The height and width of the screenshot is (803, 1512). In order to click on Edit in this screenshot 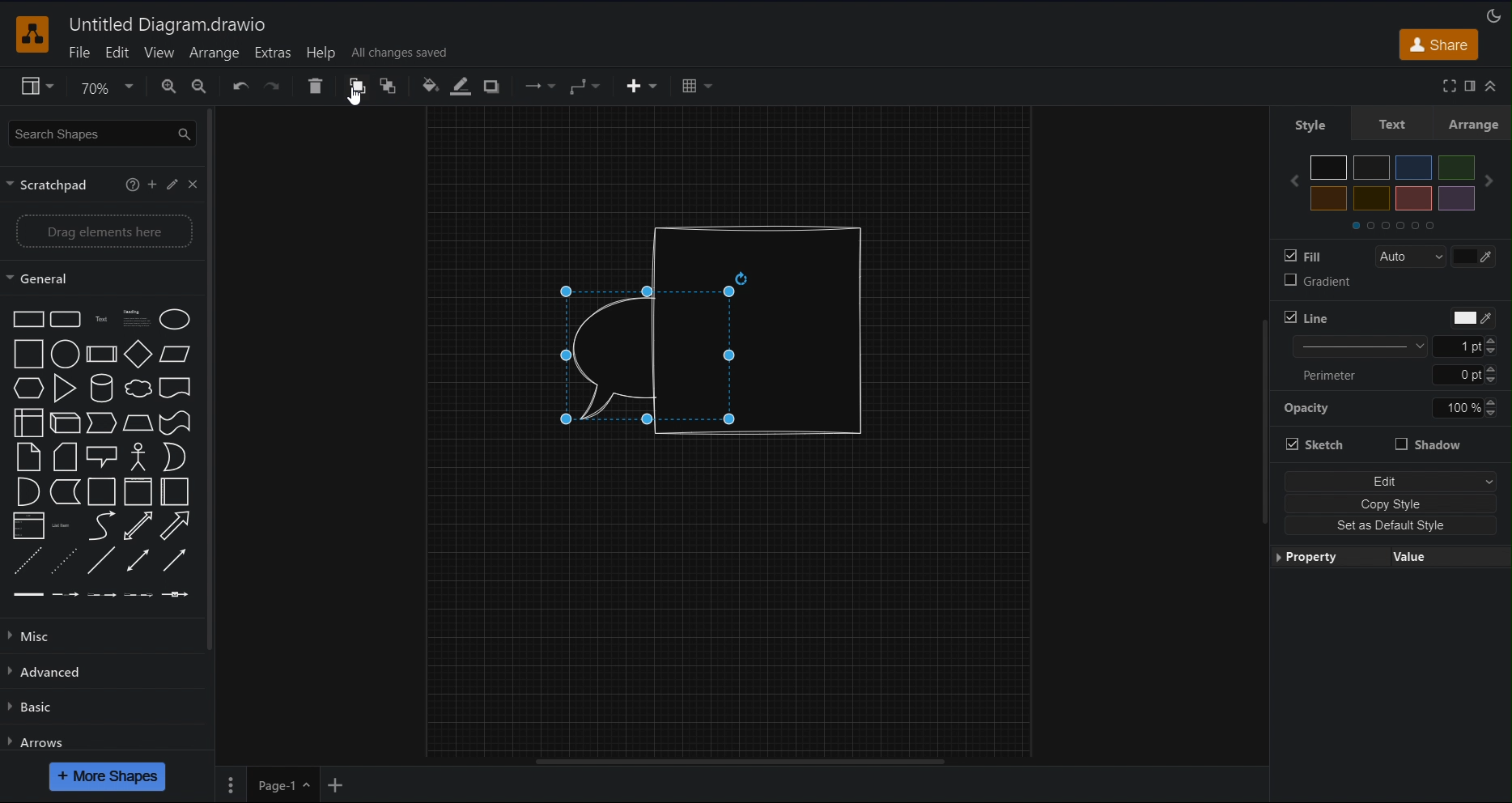, I will do `click(1391, 482)`.